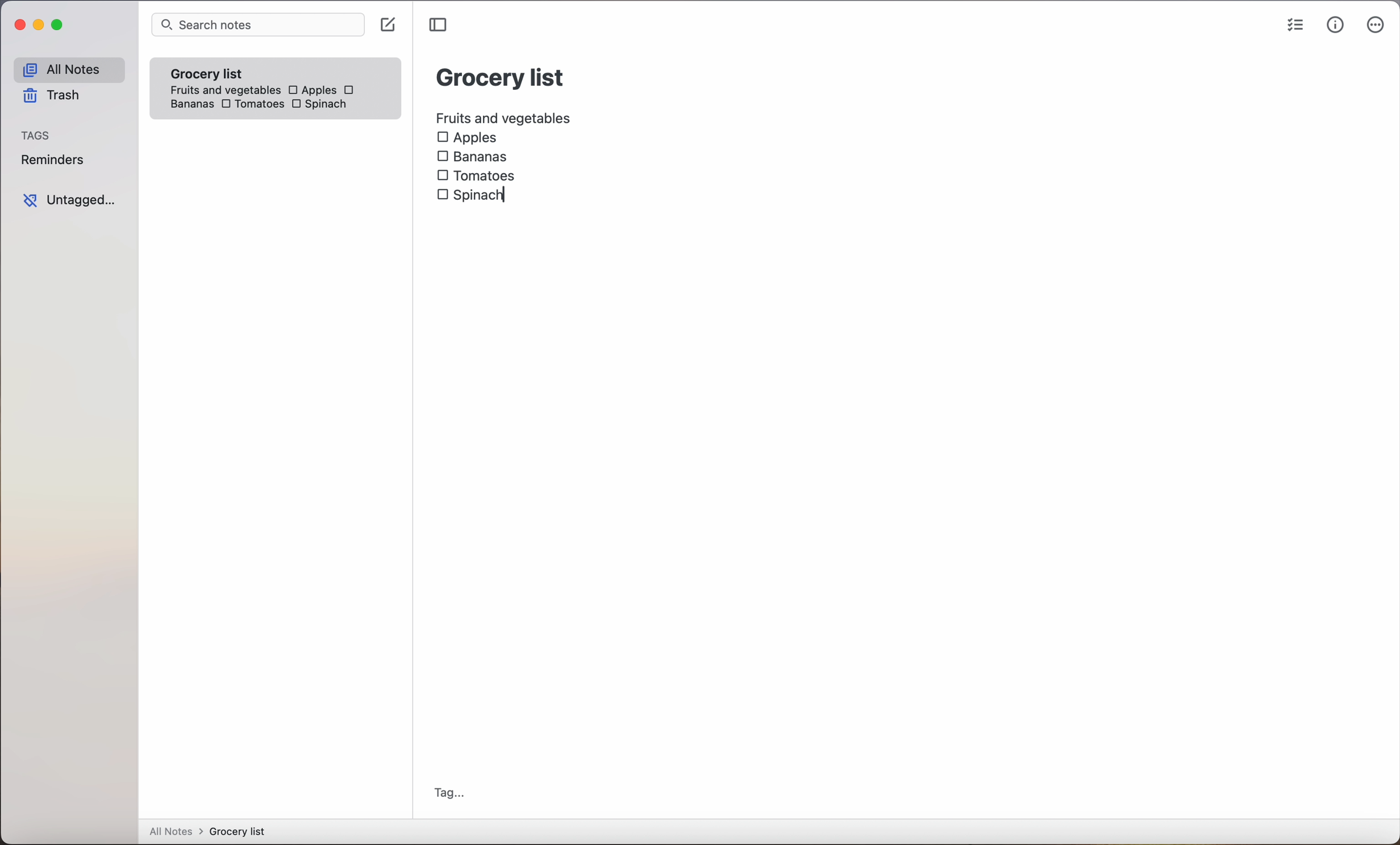  I want to click on grocery list, so click(501, 76).